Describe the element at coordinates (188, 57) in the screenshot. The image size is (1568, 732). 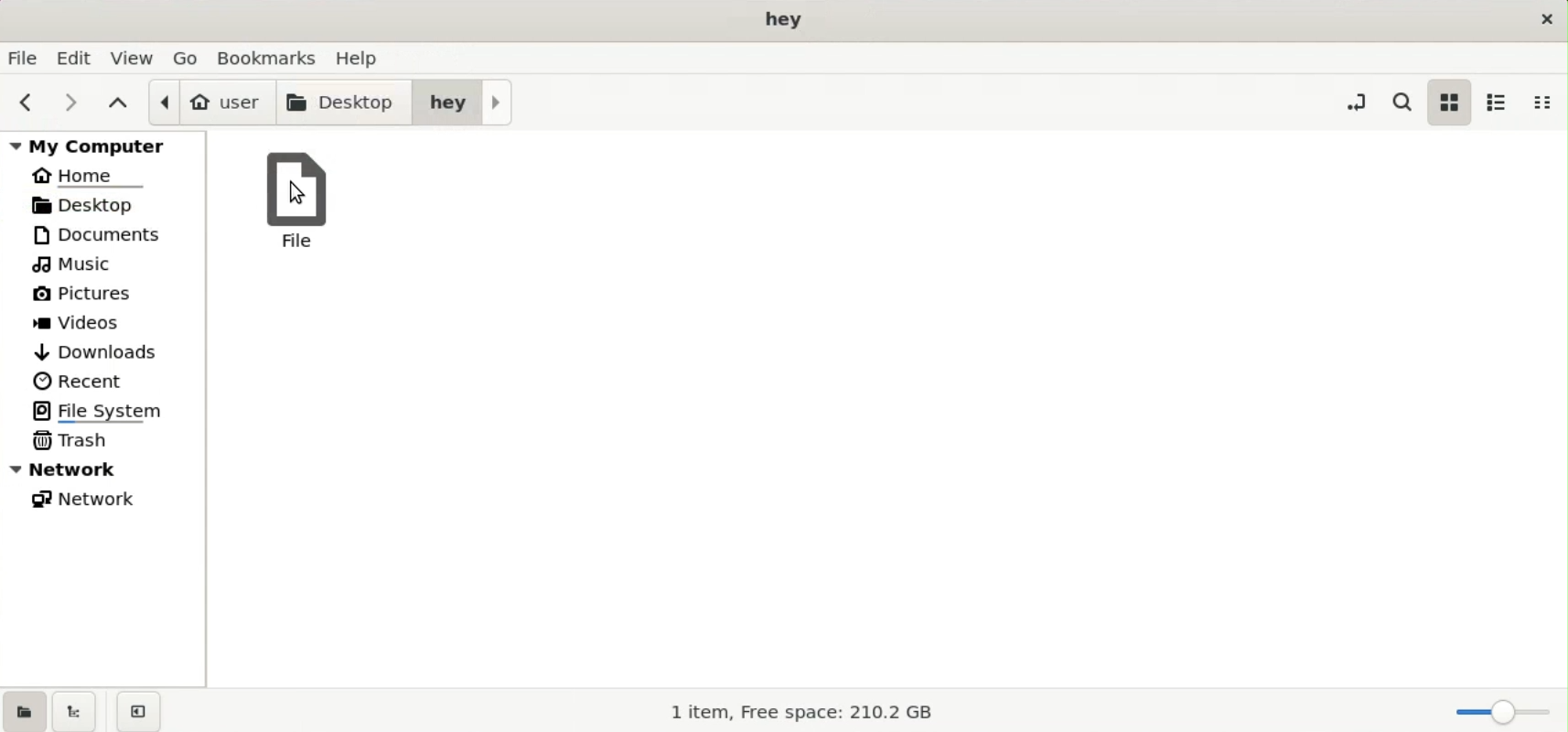
I see `go` at that location.